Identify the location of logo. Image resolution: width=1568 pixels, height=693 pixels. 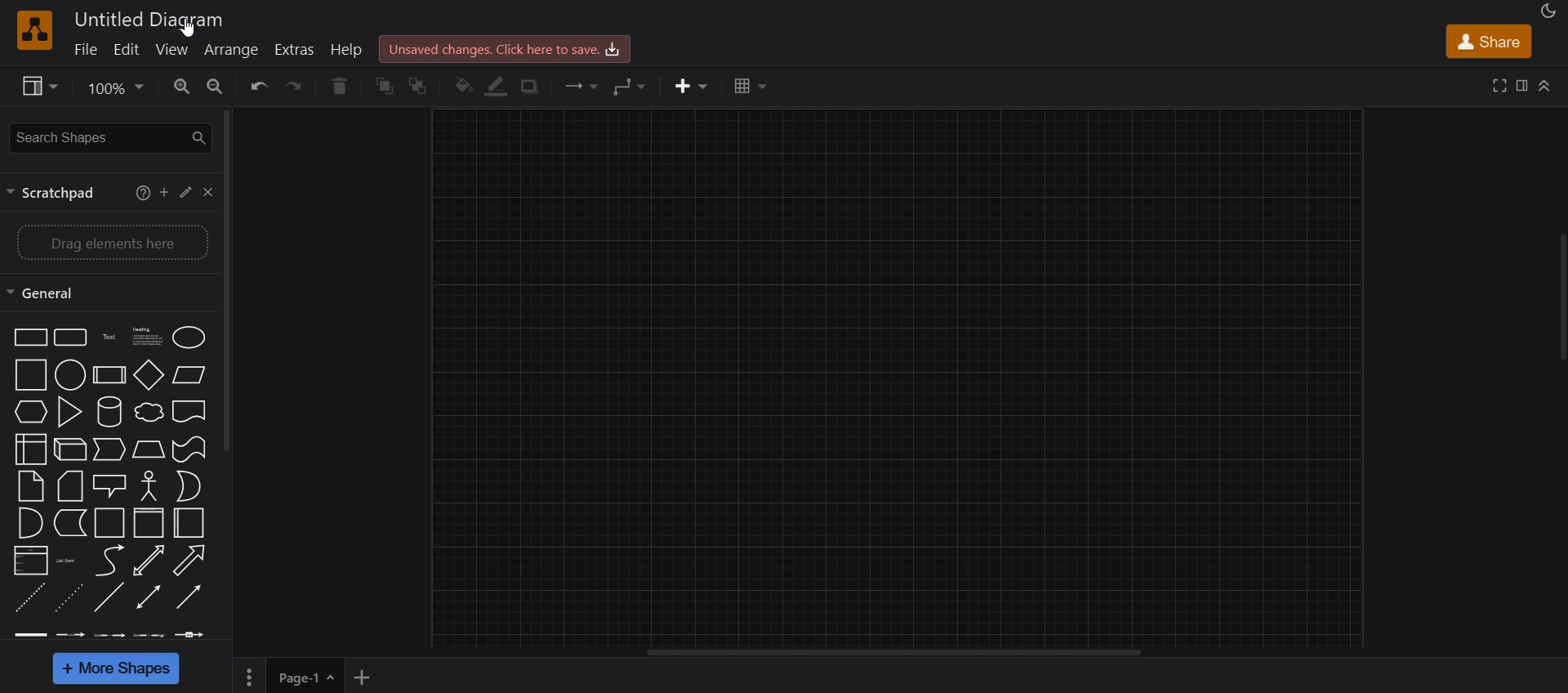
(35, 30).